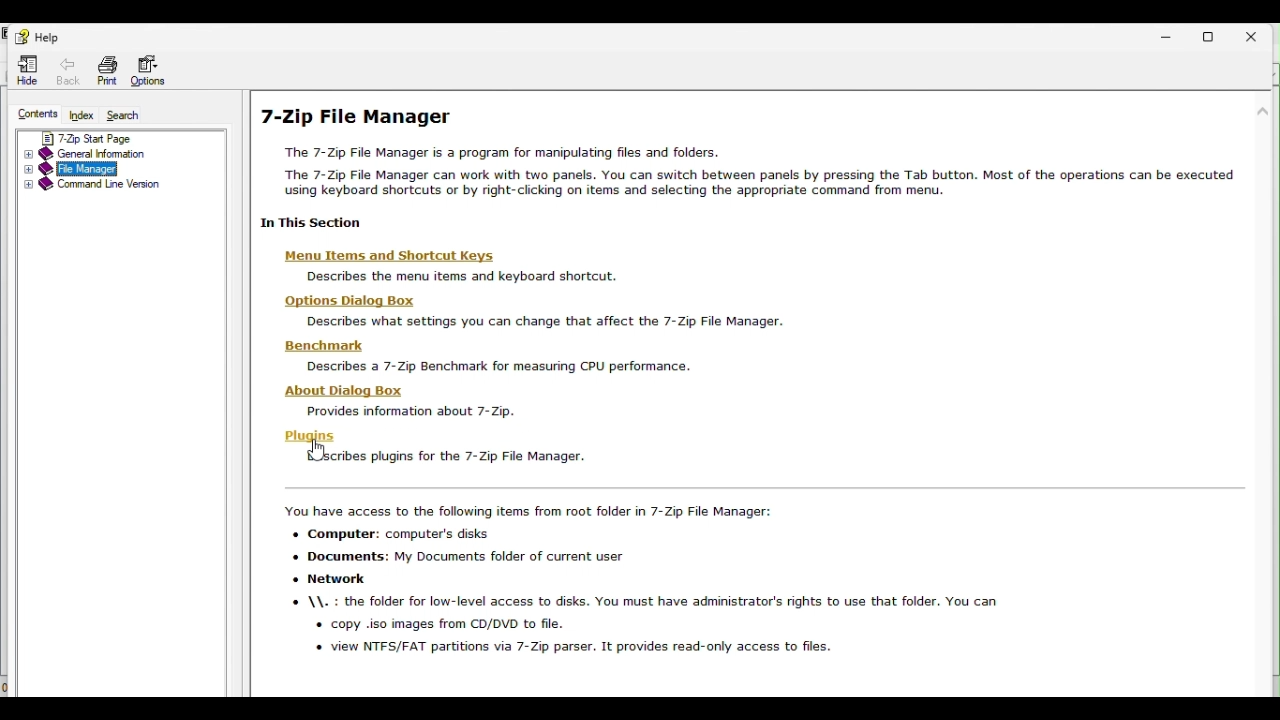 The image size is (1280, 720). Describe the element at coordinates (1259, 34) in the screenshot. I see `Close` at that location.